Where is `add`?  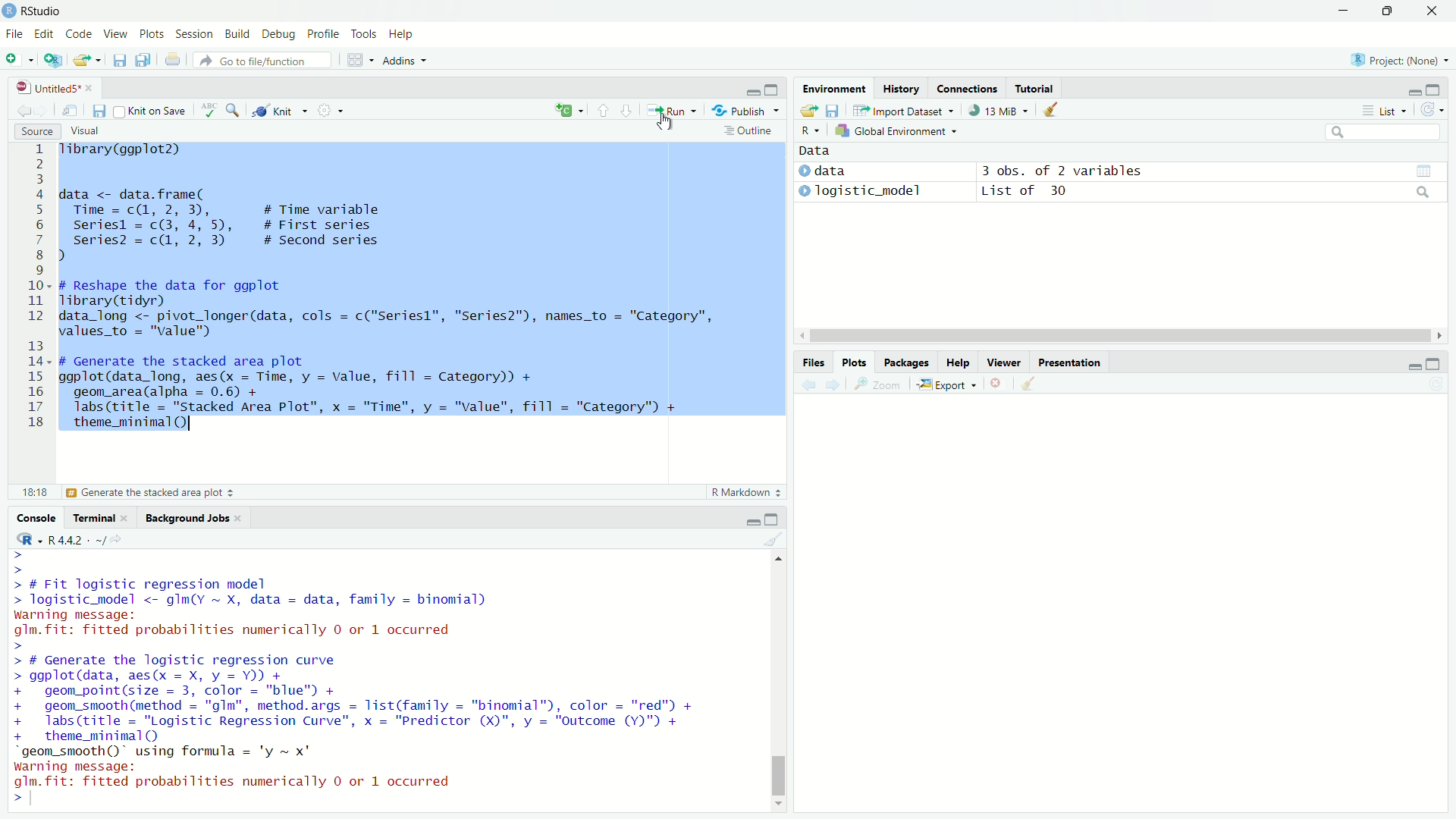
add is located at coordinates (567, 110).